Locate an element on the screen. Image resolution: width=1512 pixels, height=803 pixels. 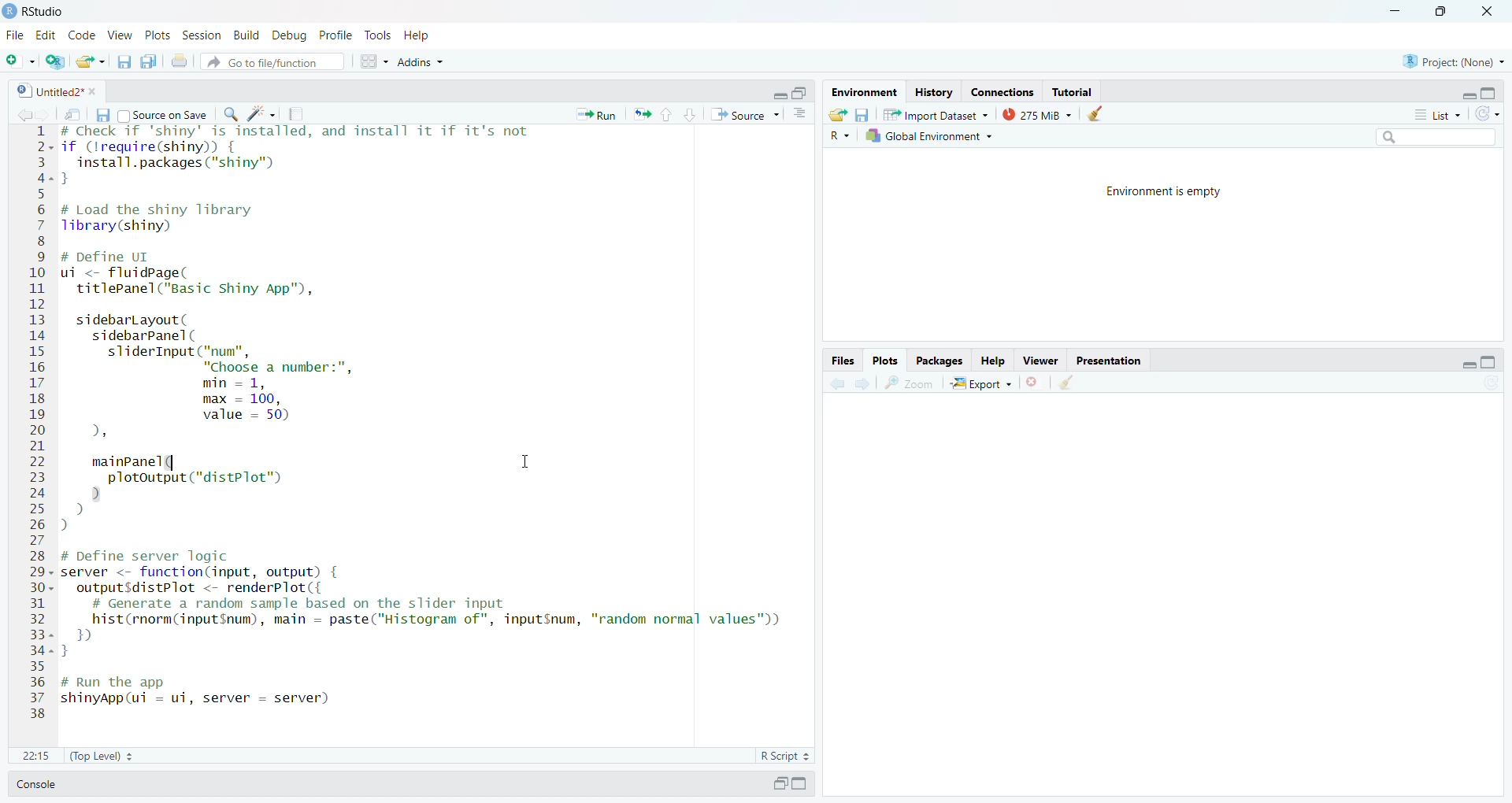
maximize is located at coordinates (1490, 93).